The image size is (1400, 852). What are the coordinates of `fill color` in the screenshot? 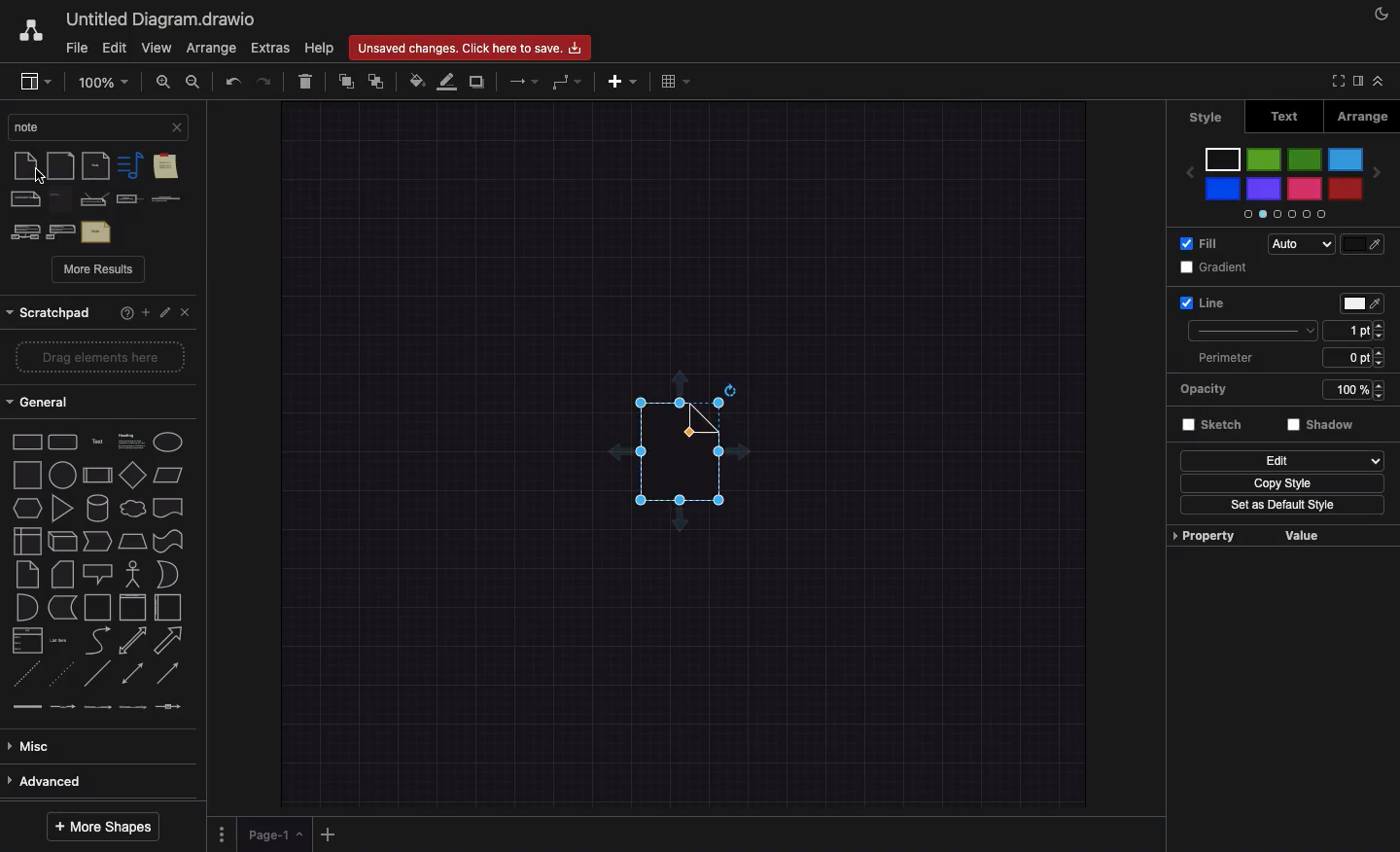 It's located at (1361, 244).